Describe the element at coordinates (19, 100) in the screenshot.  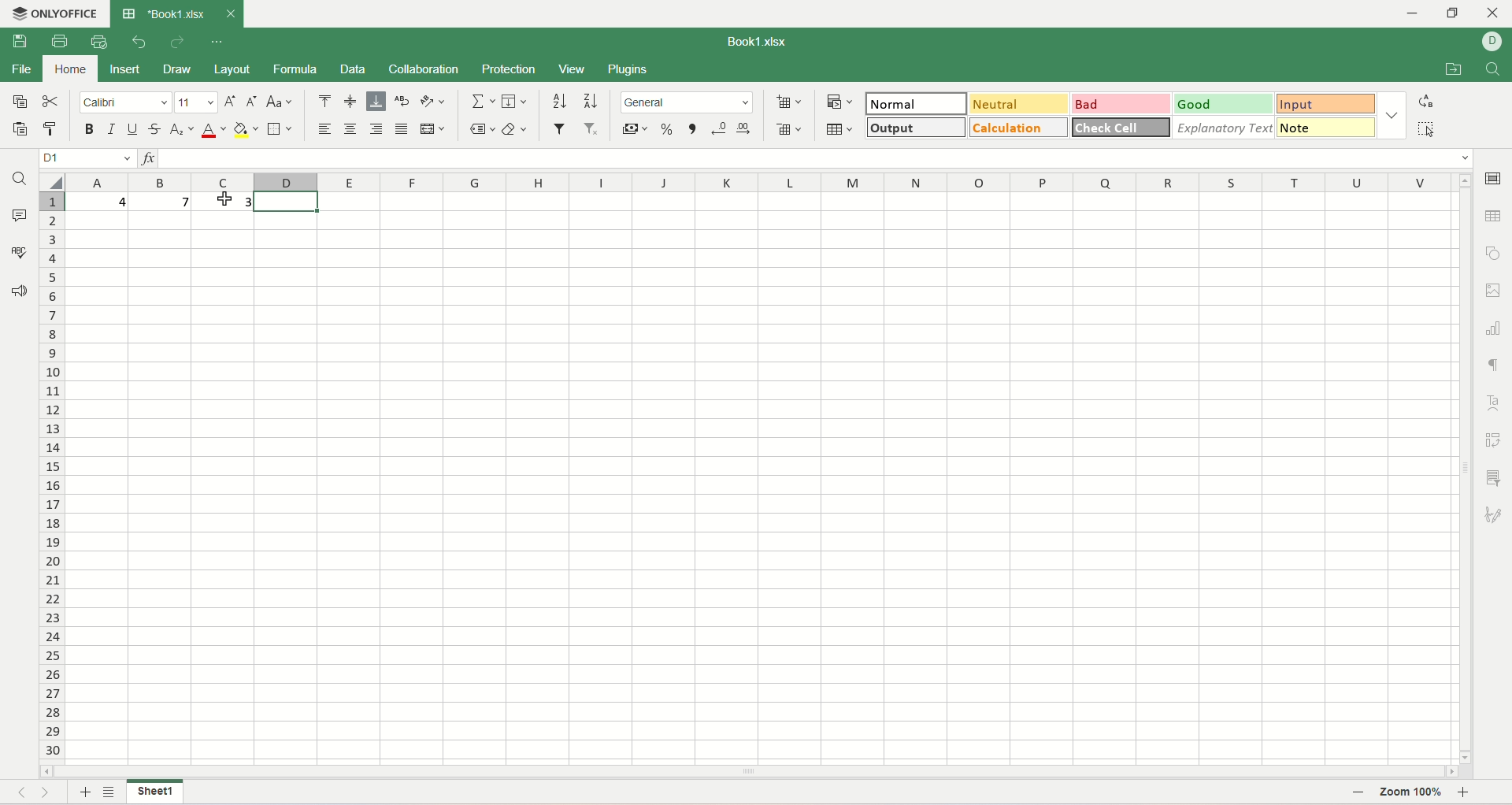
I see `copy` at that location.